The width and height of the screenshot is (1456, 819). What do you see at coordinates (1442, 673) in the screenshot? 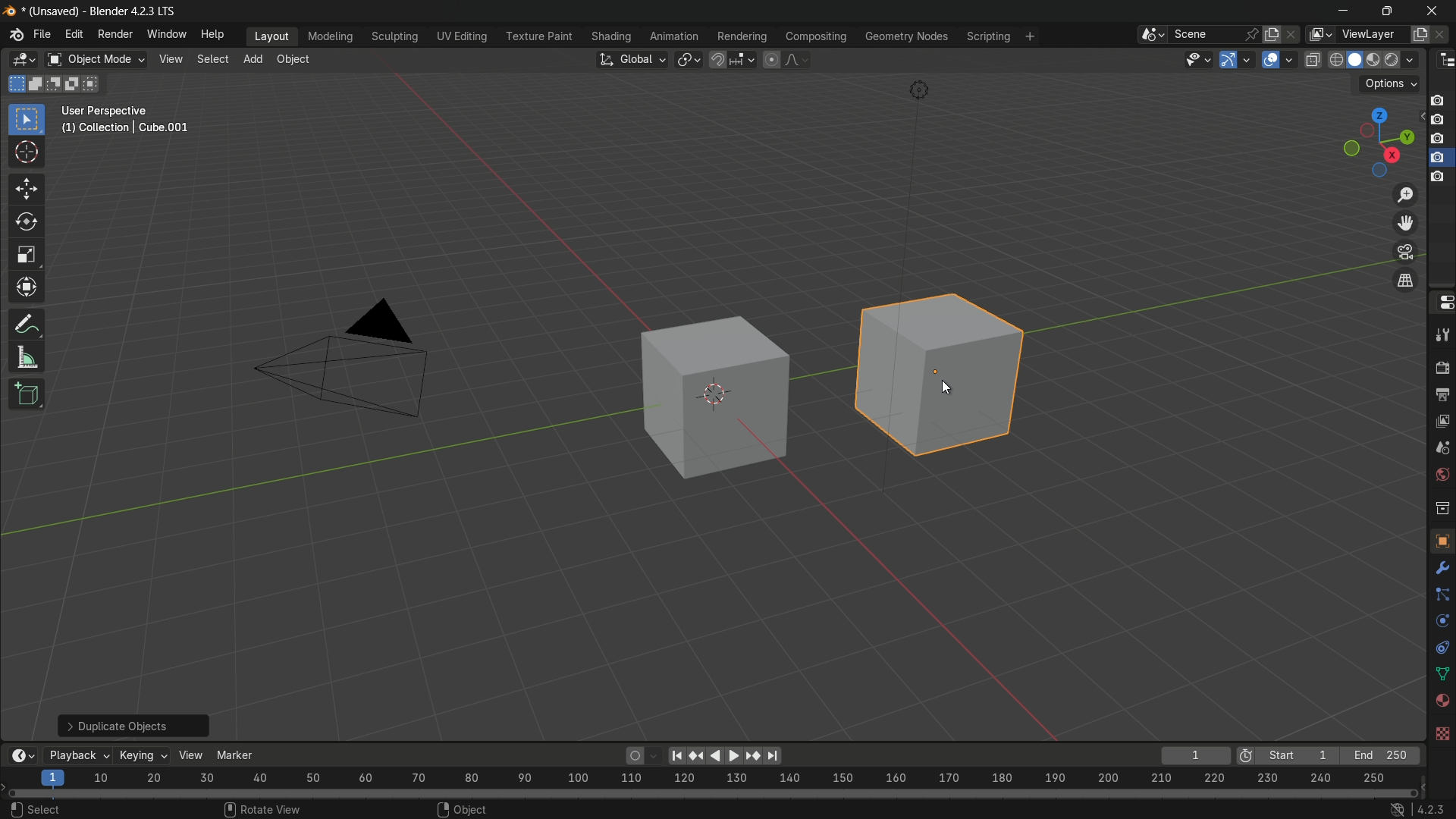
I see `data` at bounding box center [1442, 673].